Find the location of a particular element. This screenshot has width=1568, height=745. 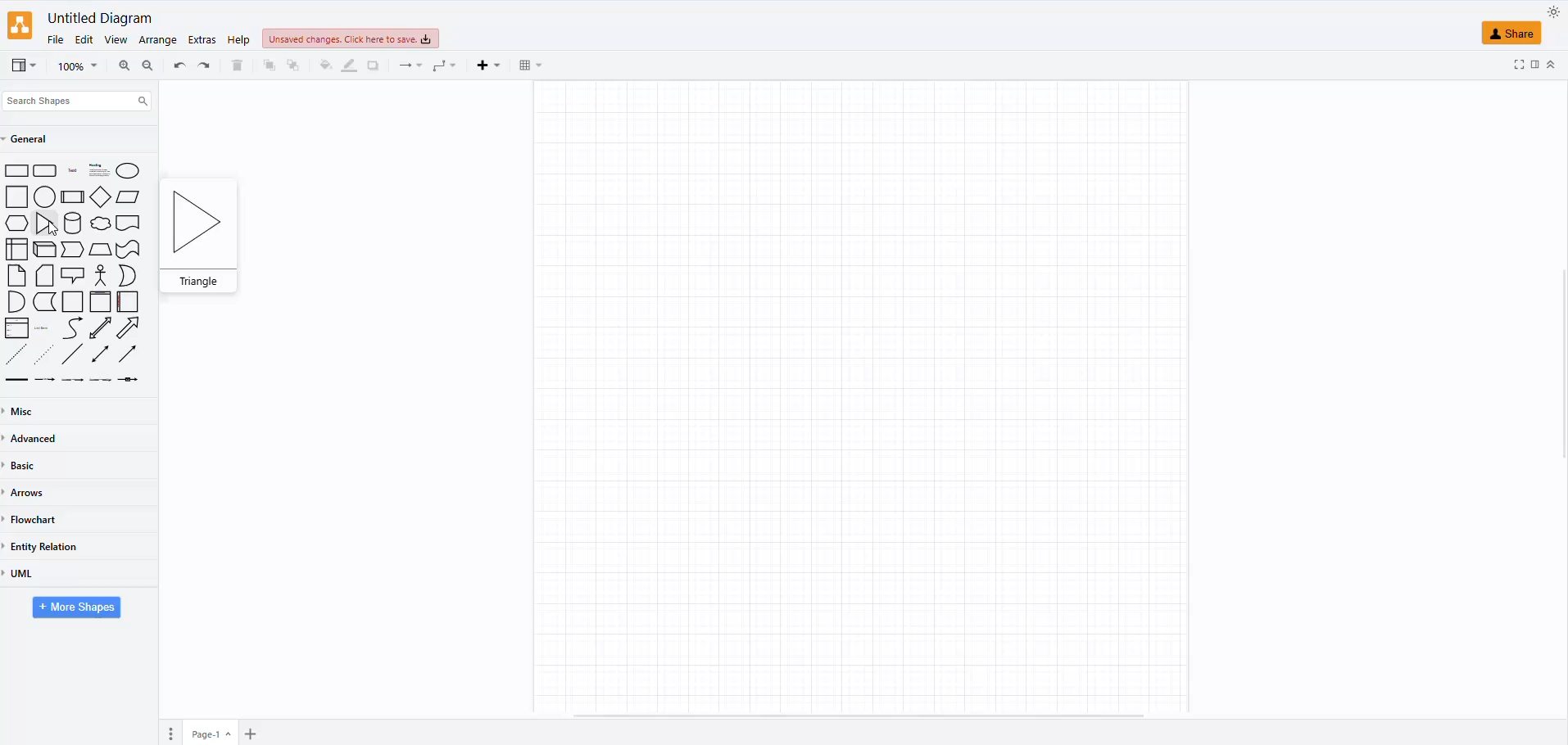

Moon is located at coordinates (128, 276).